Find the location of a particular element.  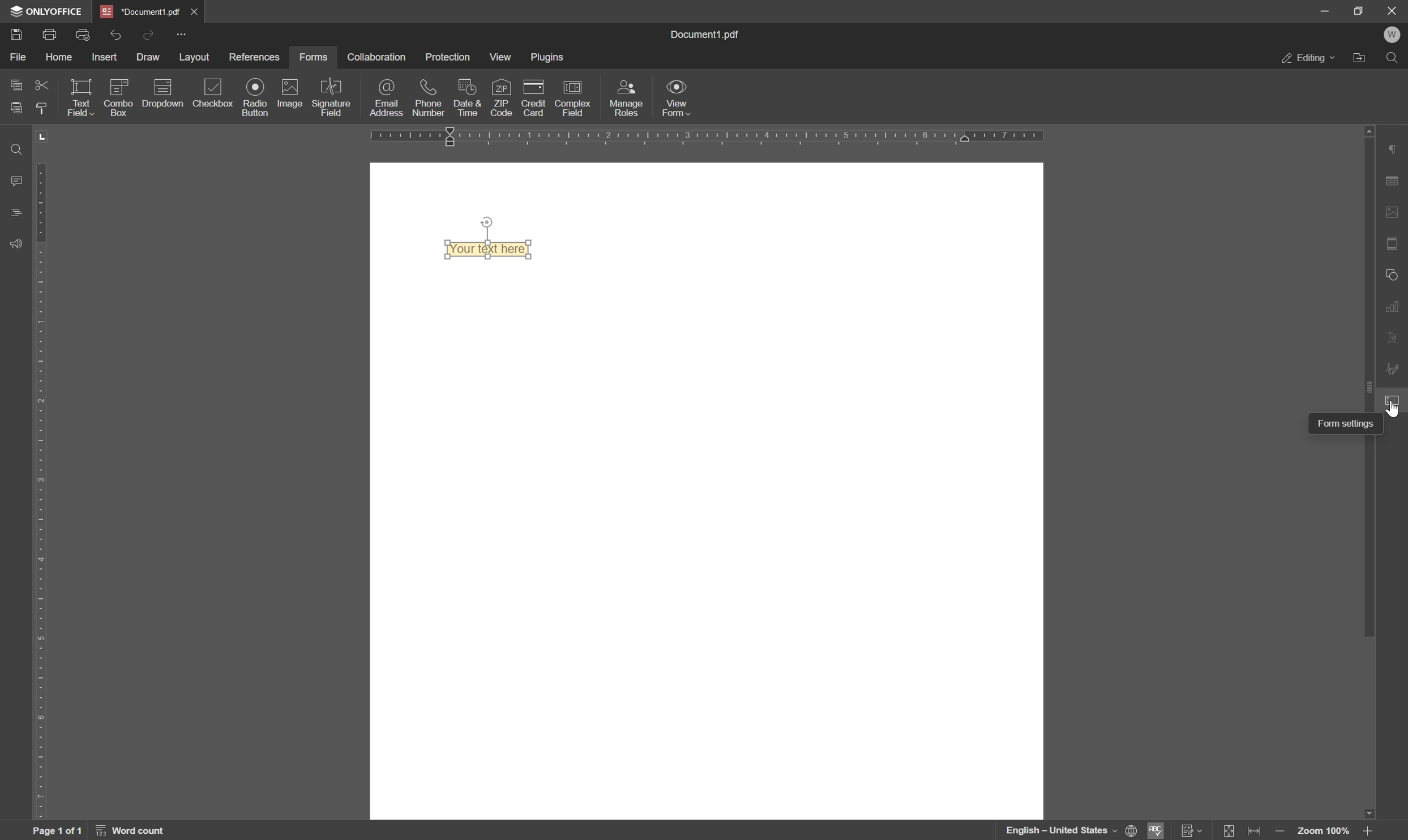

signature settings is located at coordinates (1394, 367).